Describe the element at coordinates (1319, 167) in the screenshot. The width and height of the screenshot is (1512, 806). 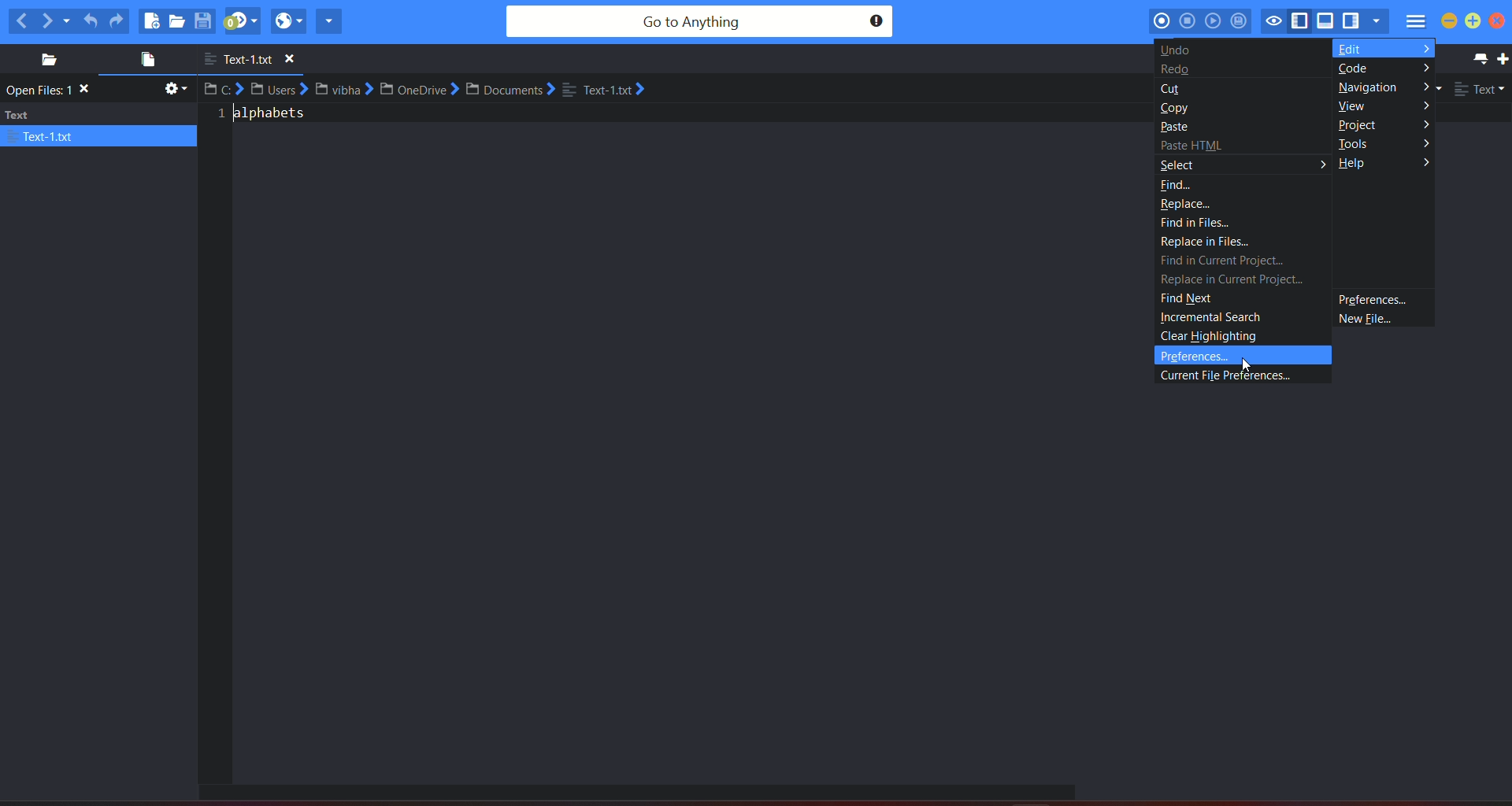
I see `arrow` at that location.